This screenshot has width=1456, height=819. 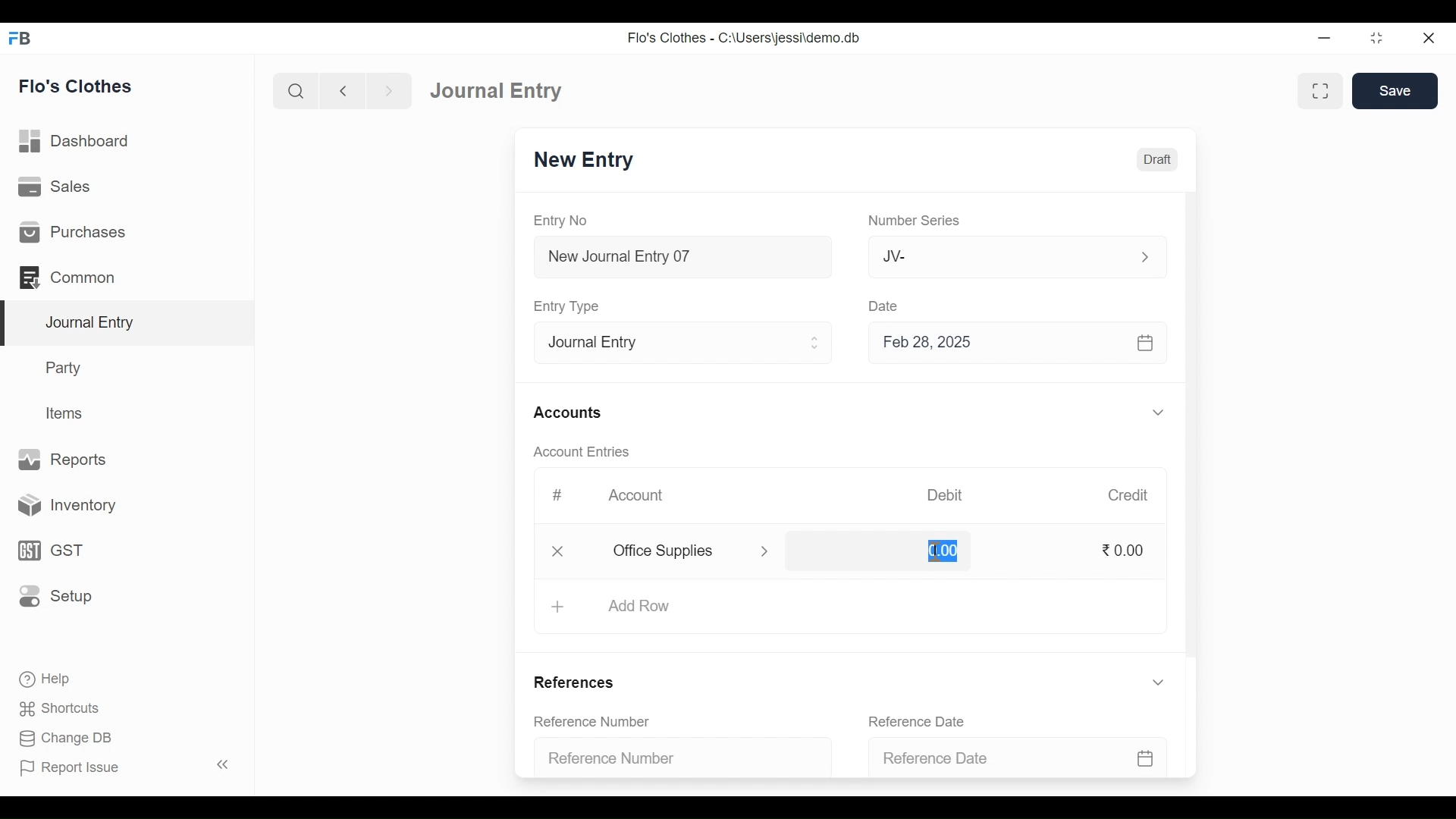 What do you see at coordinates (588, 160) in the screenshot?
I see `New Entry` at bounding box center [588, 160].